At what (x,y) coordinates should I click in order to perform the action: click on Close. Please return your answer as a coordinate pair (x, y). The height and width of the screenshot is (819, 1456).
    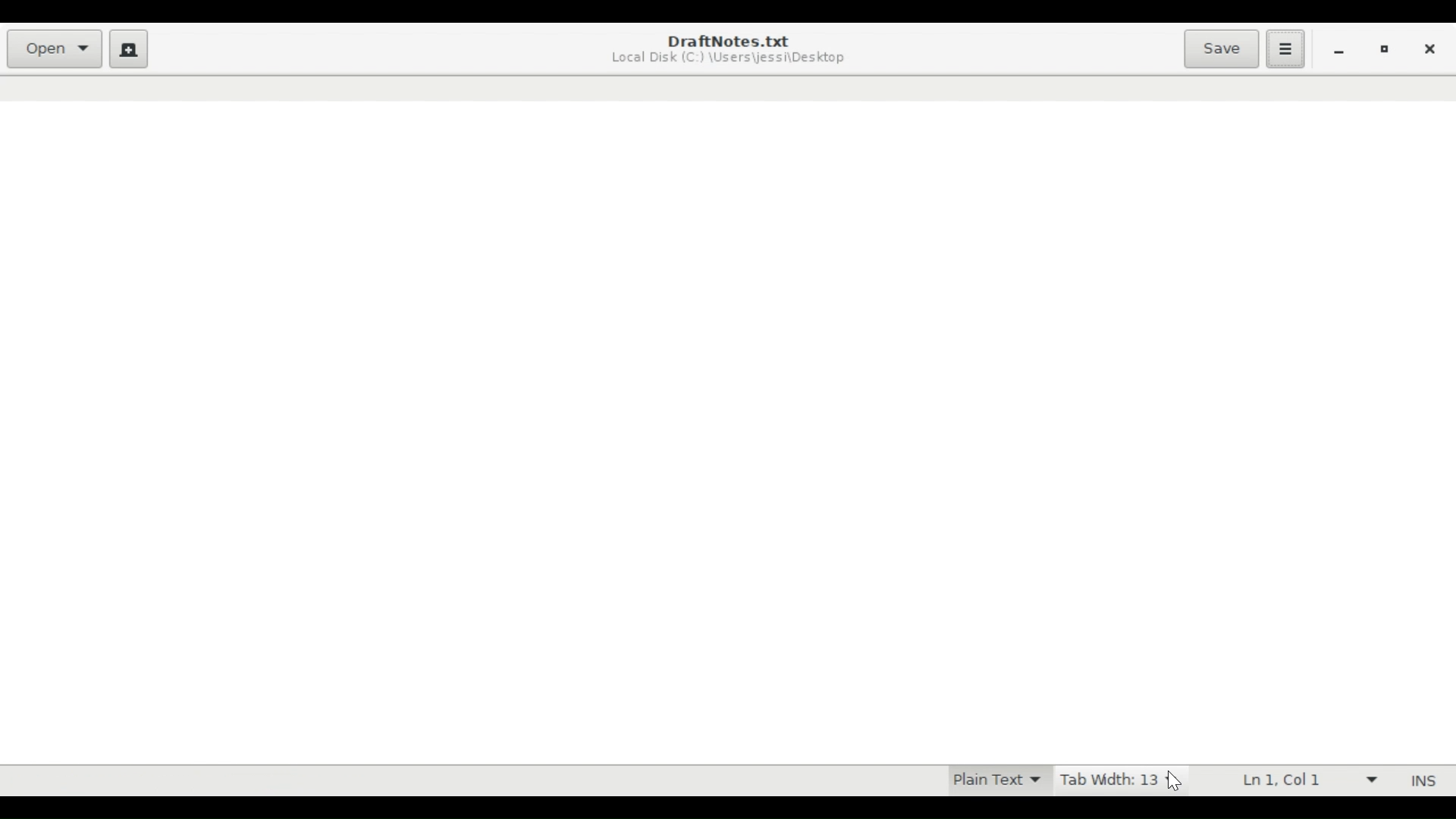
    Looking at the image, I should click on (1430, 50).